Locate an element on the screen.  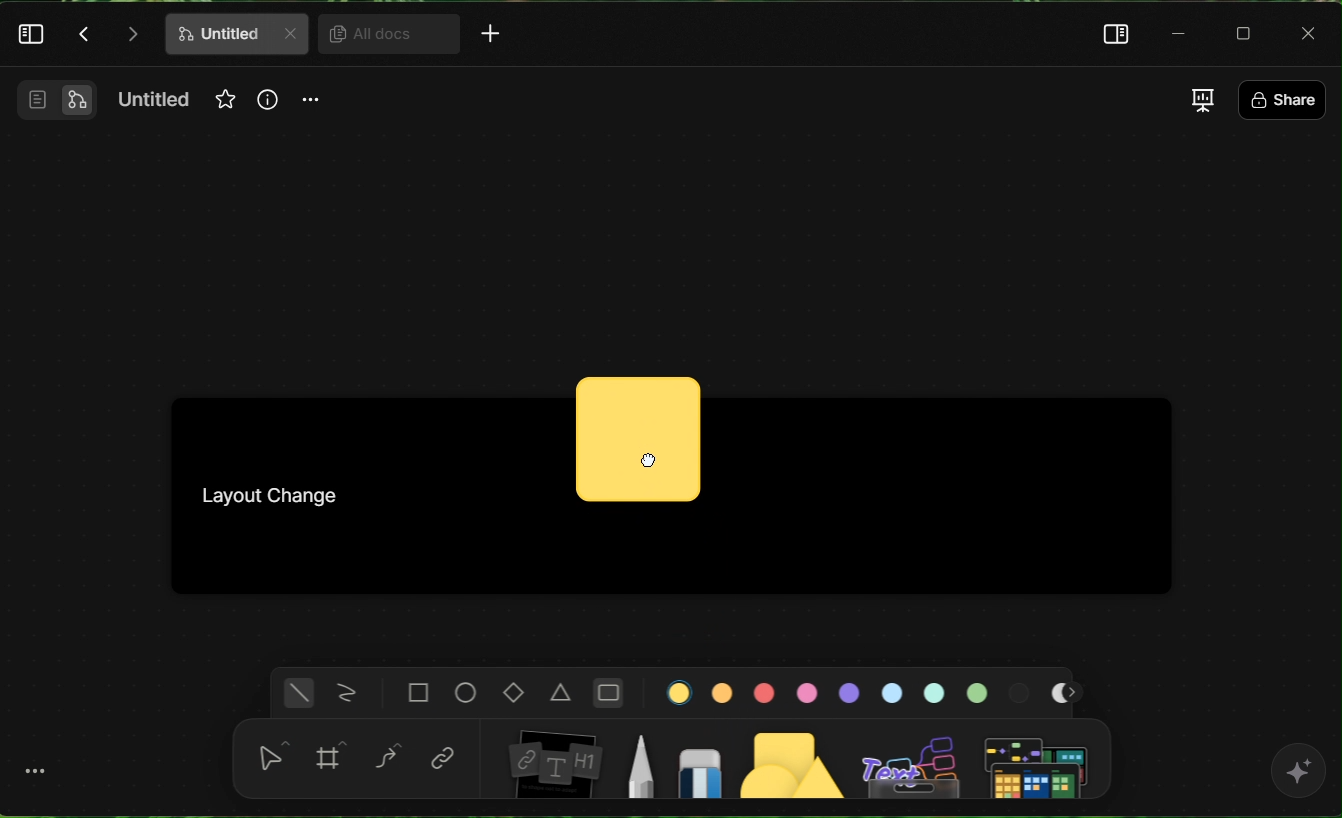
circle is located at coordinates (464, 694).